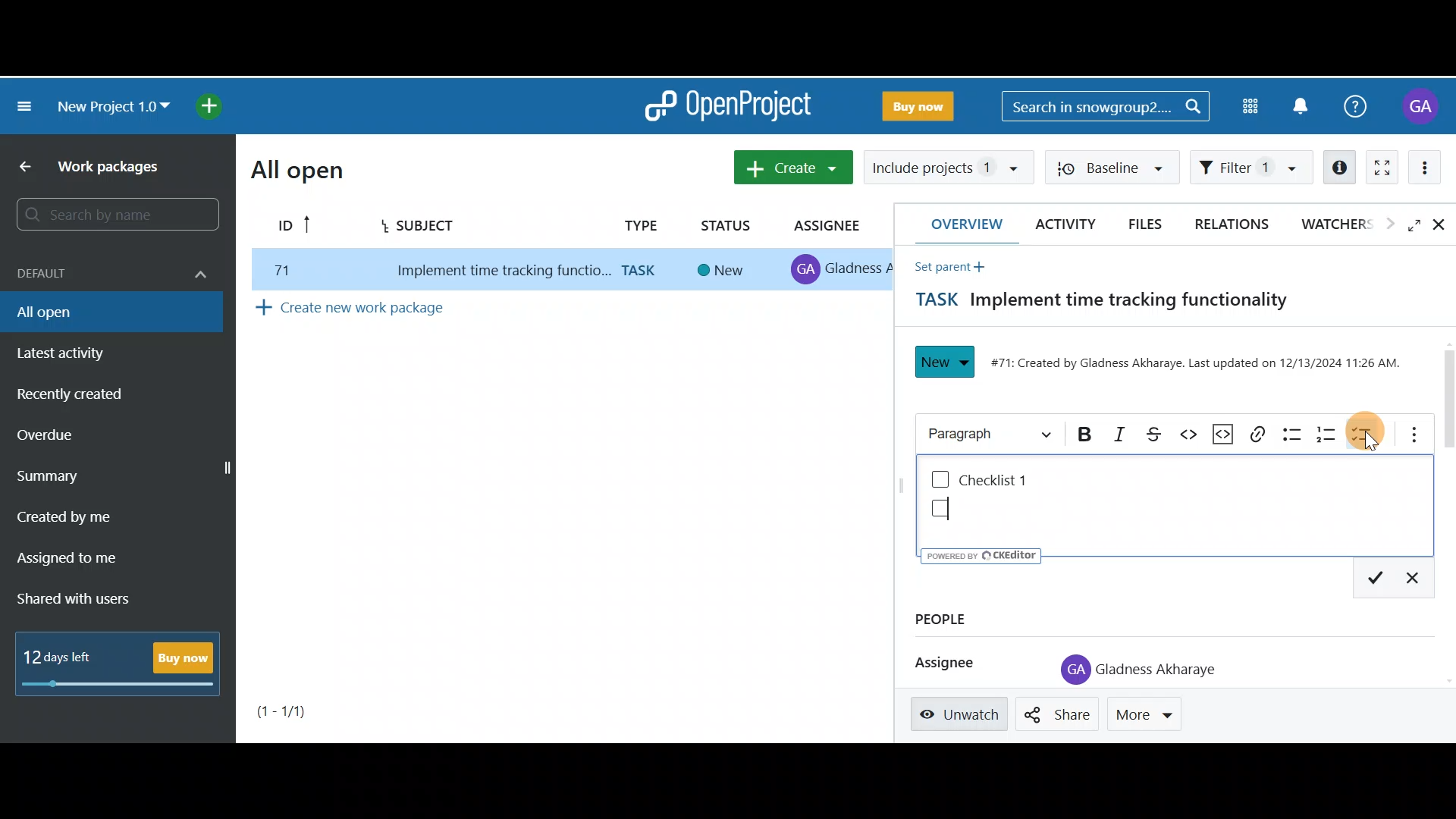 The image size is (1456, 819). I want to click on Task title, so click(1091, 303).